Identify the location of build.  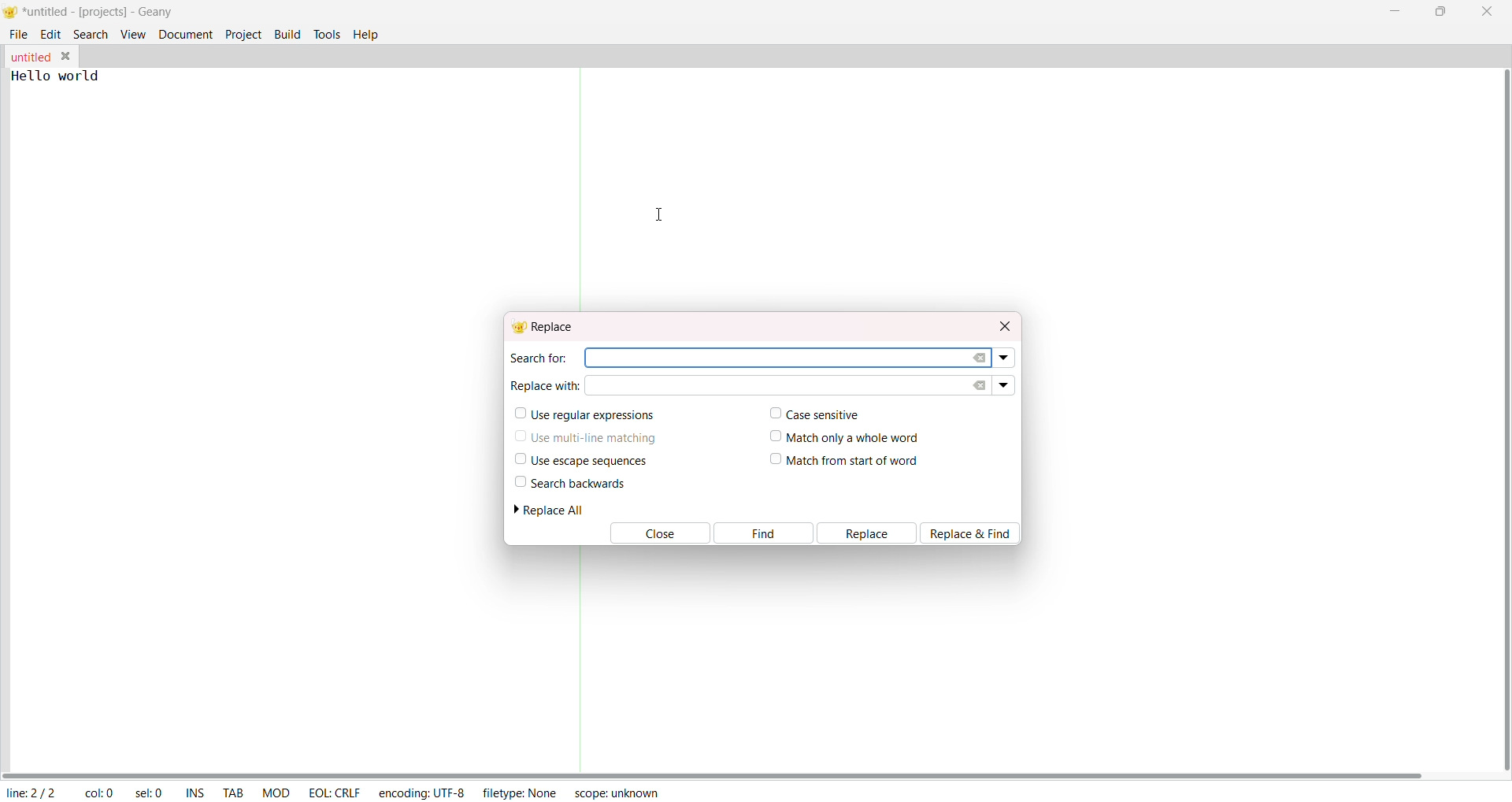
(287, 32).